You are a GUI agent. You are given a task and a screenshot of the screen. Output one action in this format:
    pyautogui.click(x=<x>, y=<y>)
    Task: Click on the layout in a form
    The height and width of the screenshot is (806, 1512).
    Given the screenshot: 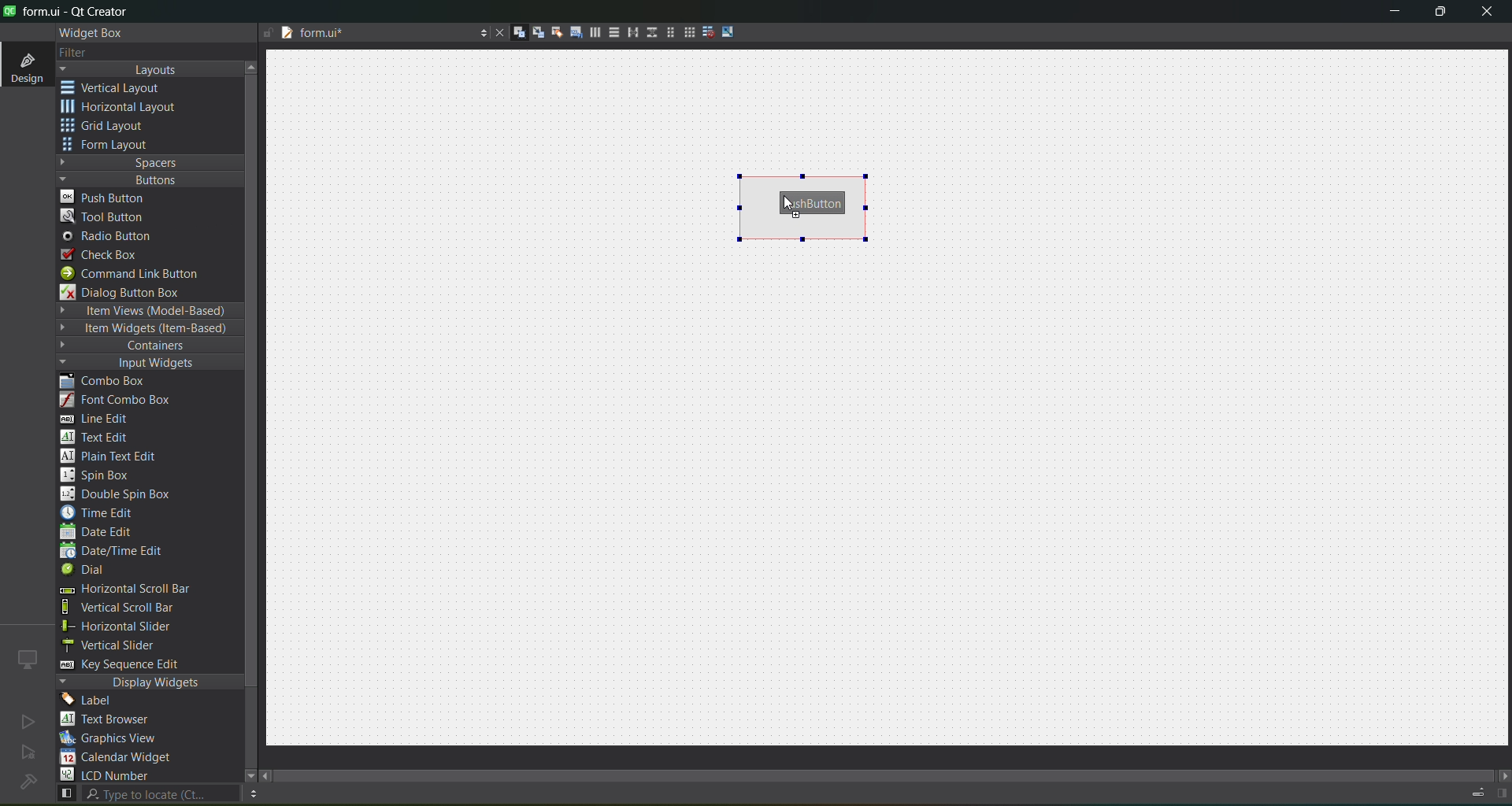 What is the action you would take?
    pyautogui.click(x=665, y=32)
    